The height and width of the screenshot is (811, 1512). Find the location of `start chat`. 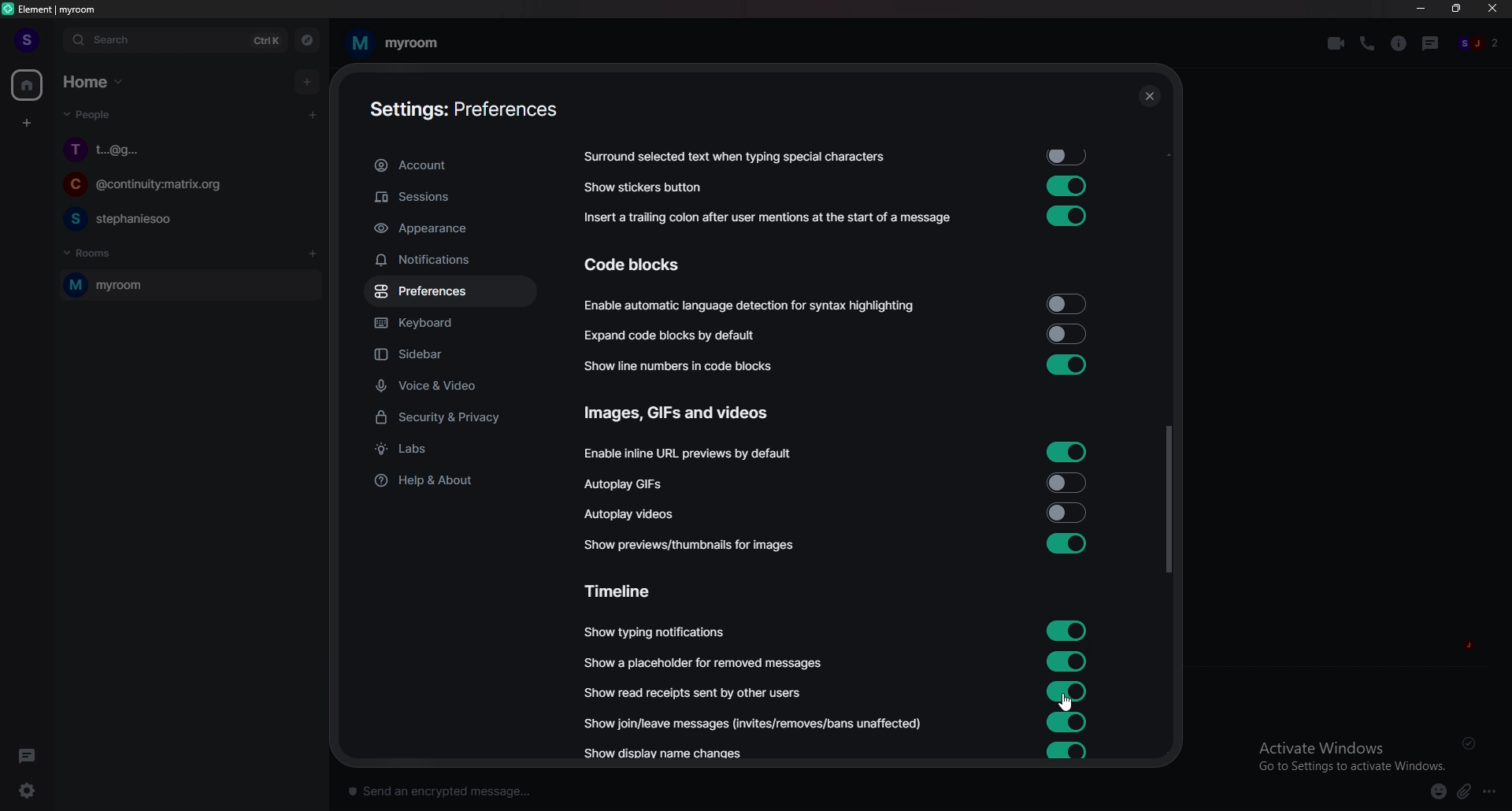

start chat is located at coordinates (312, 114).